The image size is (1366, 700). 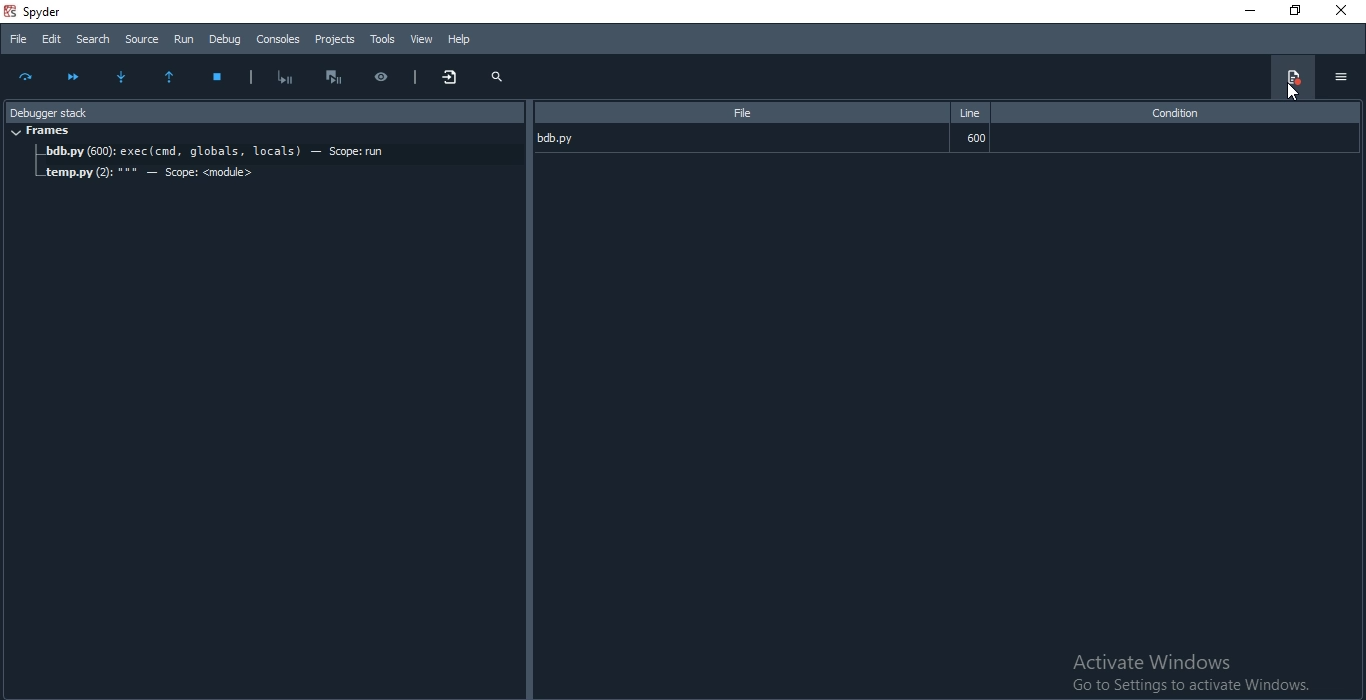 What do you see at coordinates (1344, 12) in the screenshot?
I see `close` at bounding box center [1344, 12].